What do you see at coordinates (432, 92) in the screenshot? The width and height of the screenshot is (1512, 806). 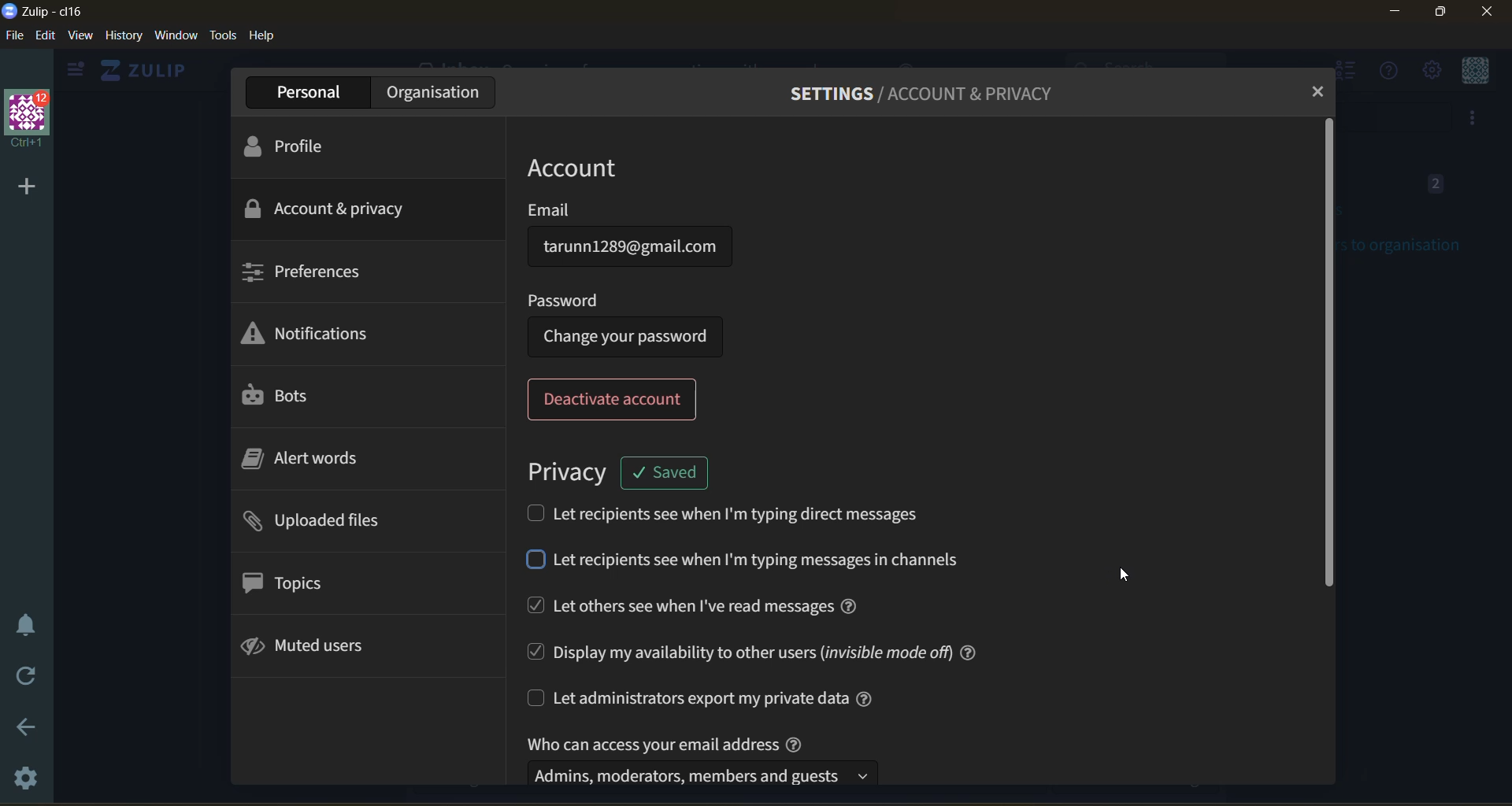 I see `organisation` at bounding box center [432, 92].